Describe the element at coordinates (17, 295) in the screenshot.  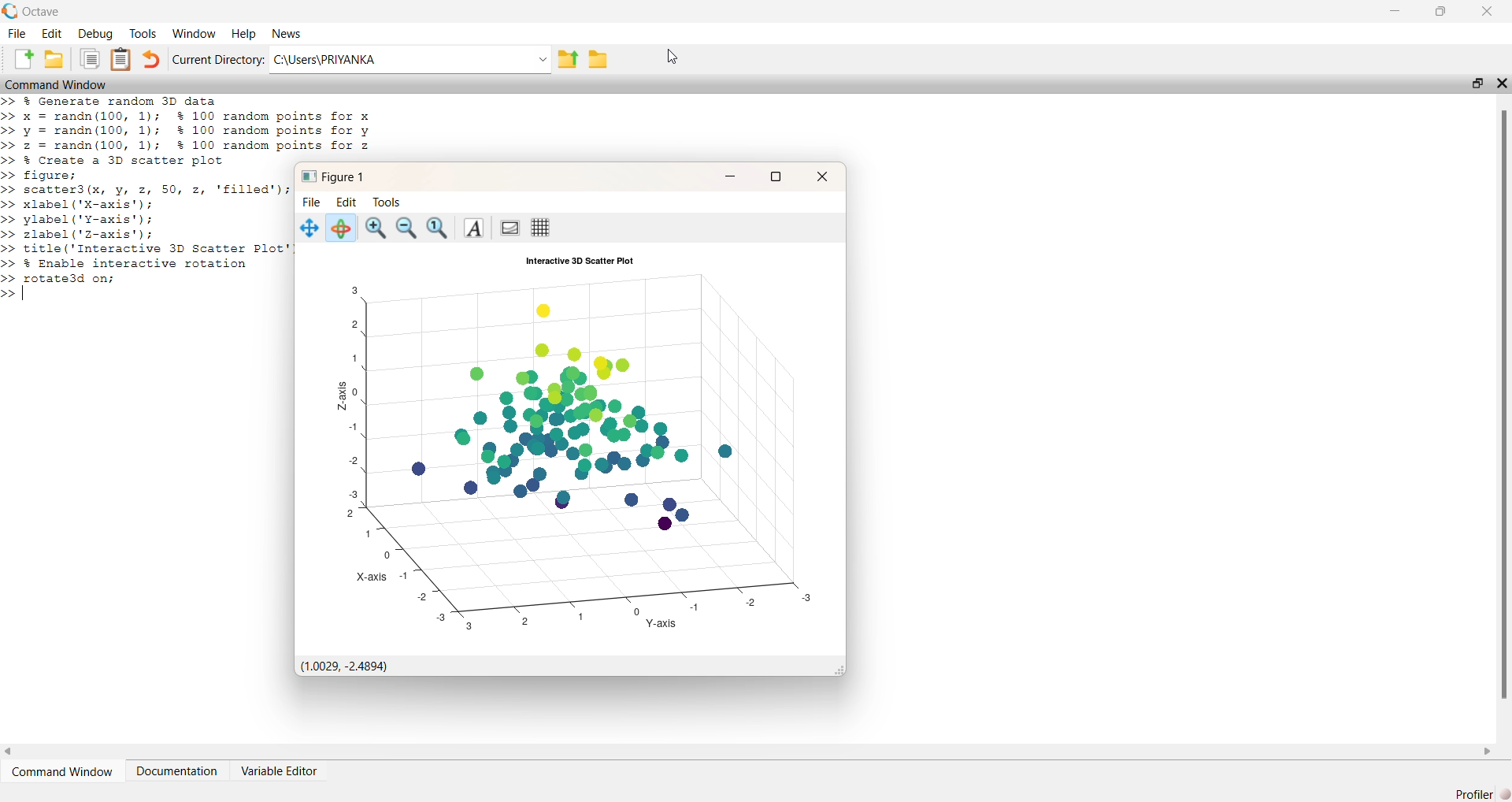
I see `>> |` at that location.